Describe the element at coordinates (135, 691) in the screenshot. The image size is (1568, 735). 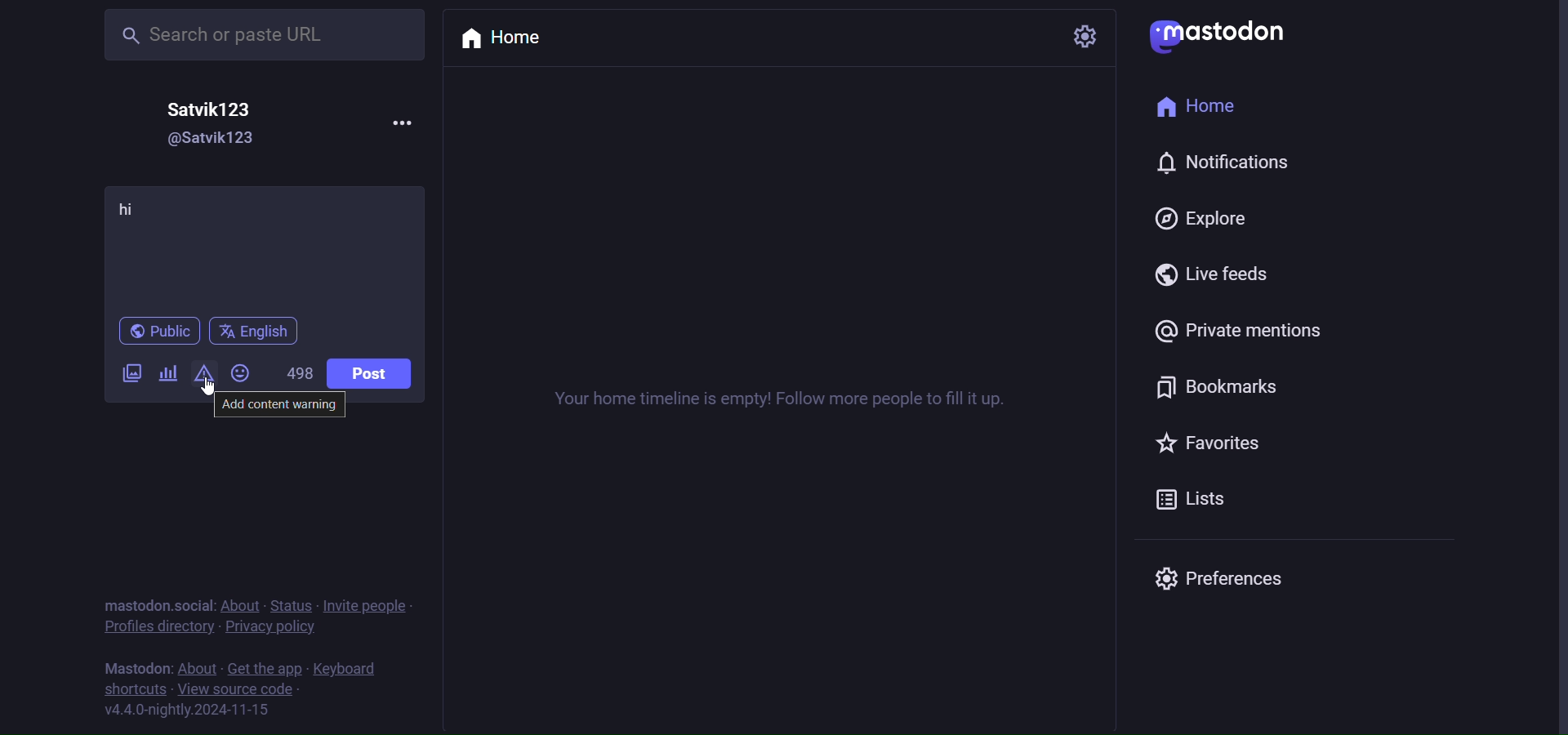
I see `shortcut` at that location.